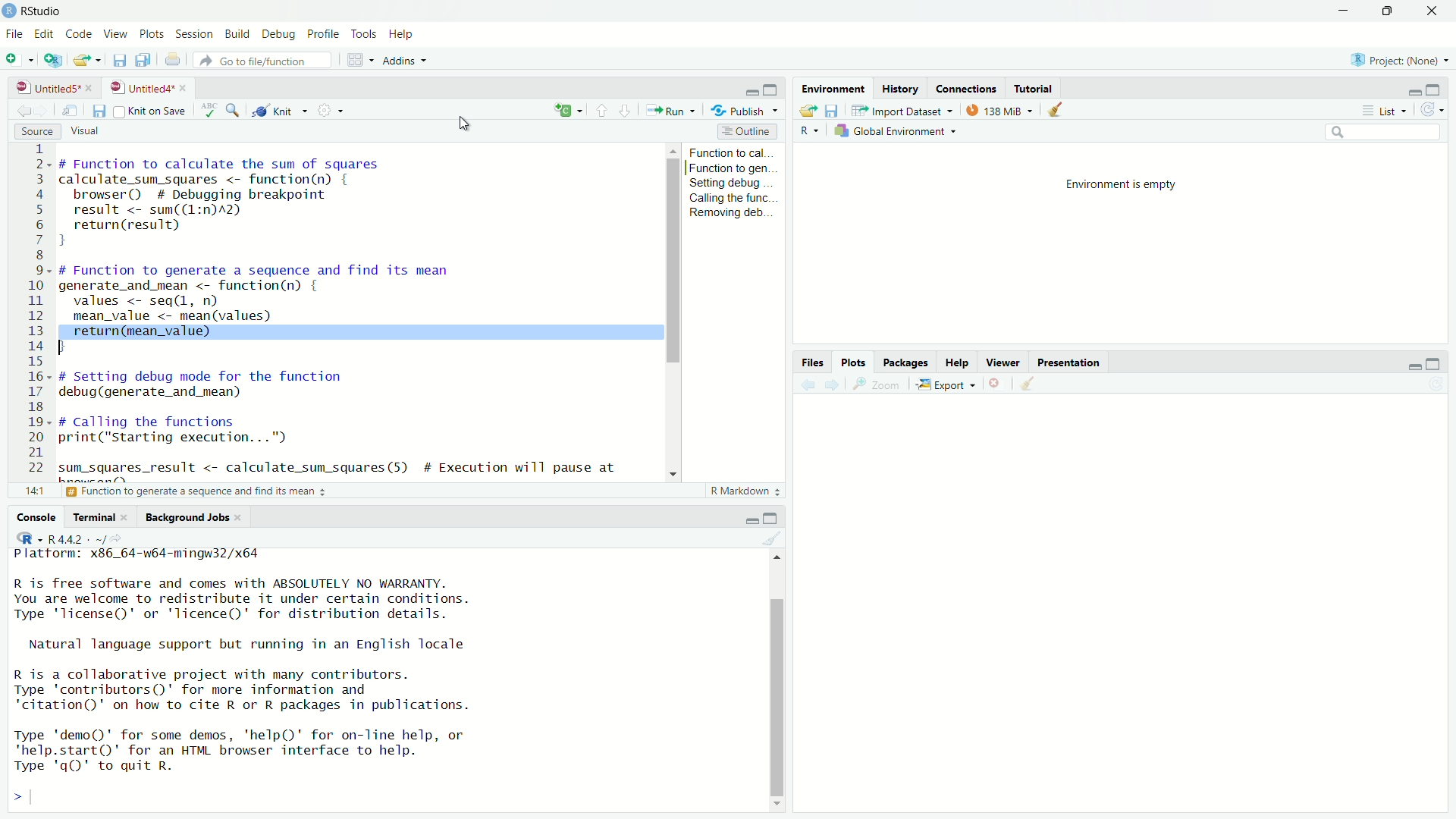 The image size is (1456, 819). Describe the element at coordinates (1067, 111) in the screenshot. I see `clear objects from the workspace` at that location.